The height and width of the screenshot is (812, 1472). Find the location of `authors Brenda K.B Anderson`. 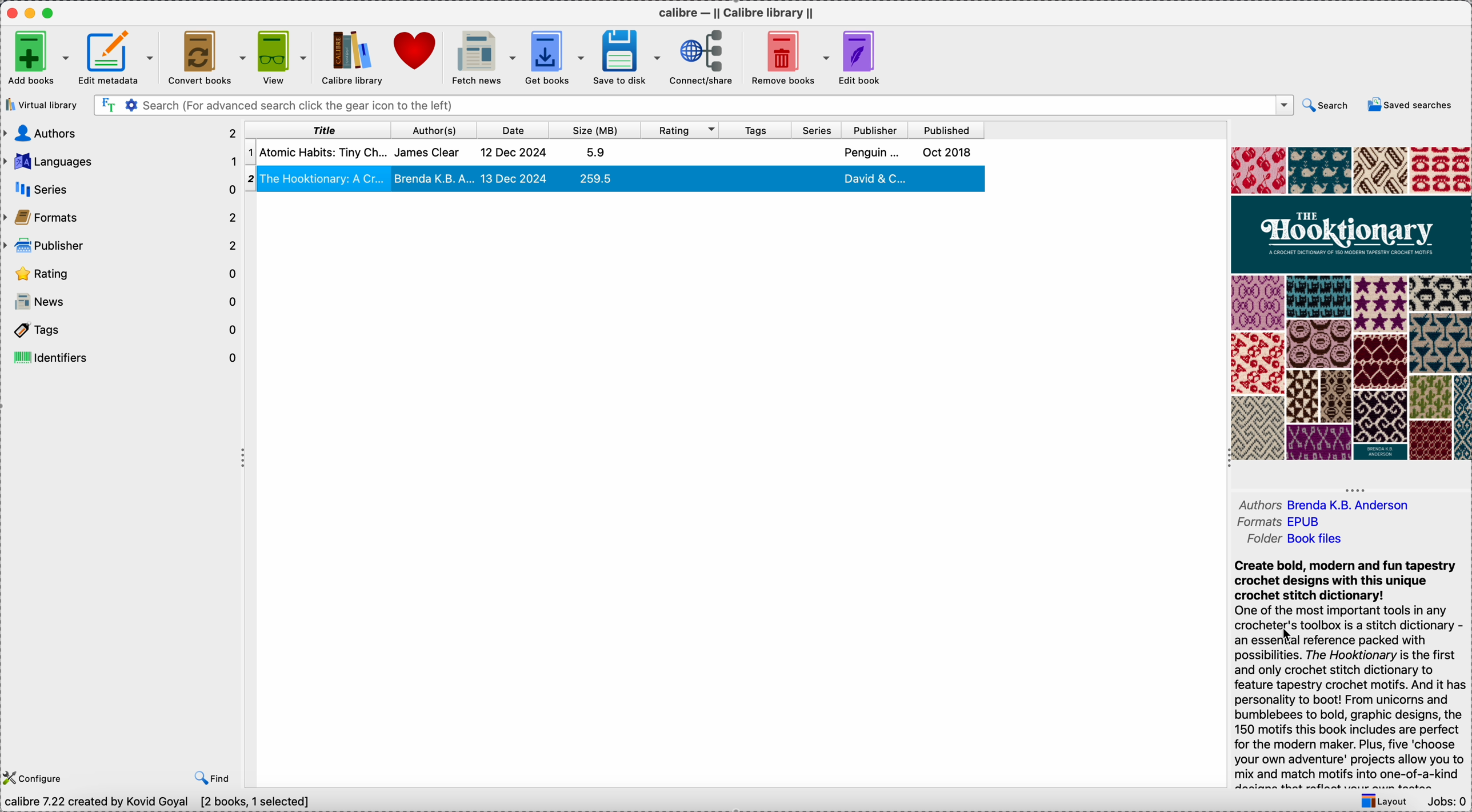

authors Brenda K.B Anderson is located at coordinates (1321, 505).